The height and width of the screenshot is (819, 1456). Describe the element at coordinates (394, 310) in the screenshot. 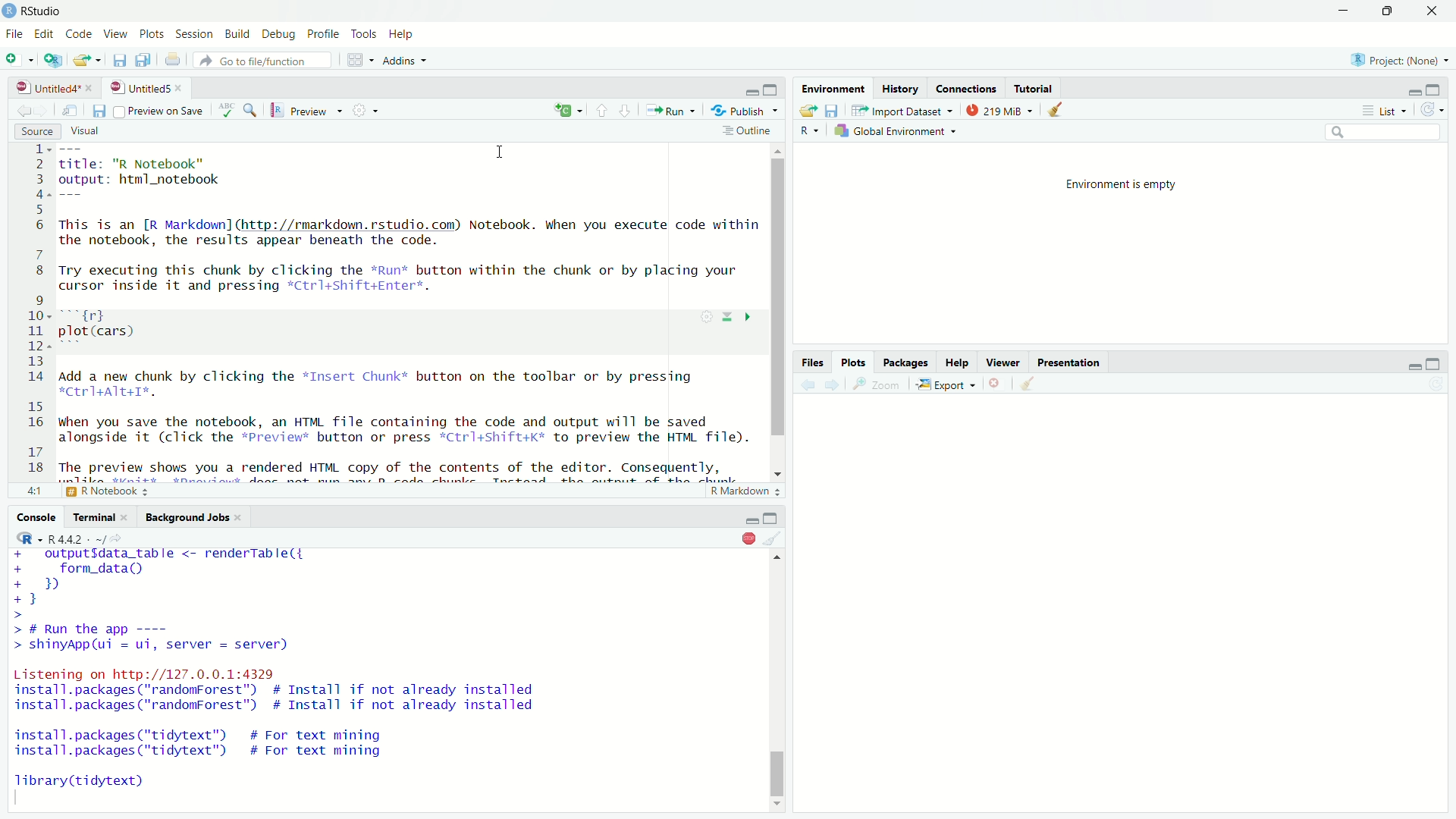

I see `Code - title: "R Notebook" -output: html_notebookThis is an [R Markdown] (http://rmarkdown.rstudio.com) Notebook. When you execute code withinthe notebook, the results appear beneath the code.Try executing this chunk by clicking the *Run* button within the chunk or by placing yourcursor inside it and pressing *Ctrl+Shift+Entert.ry =plot(cars)Add a new chunk by clicking the *Insert Chunk* button on the toolbar or by pressingHCEr1+ATt+I*.when you save the notebook, an HTML file containing the code and output will be savedalongside it (click the *Preview* button or press *Ctrl+Shift+k* to preview the HTML file).The preview shows you a rendered HTML copy of the contents of the editor. Consequently,` at that location.